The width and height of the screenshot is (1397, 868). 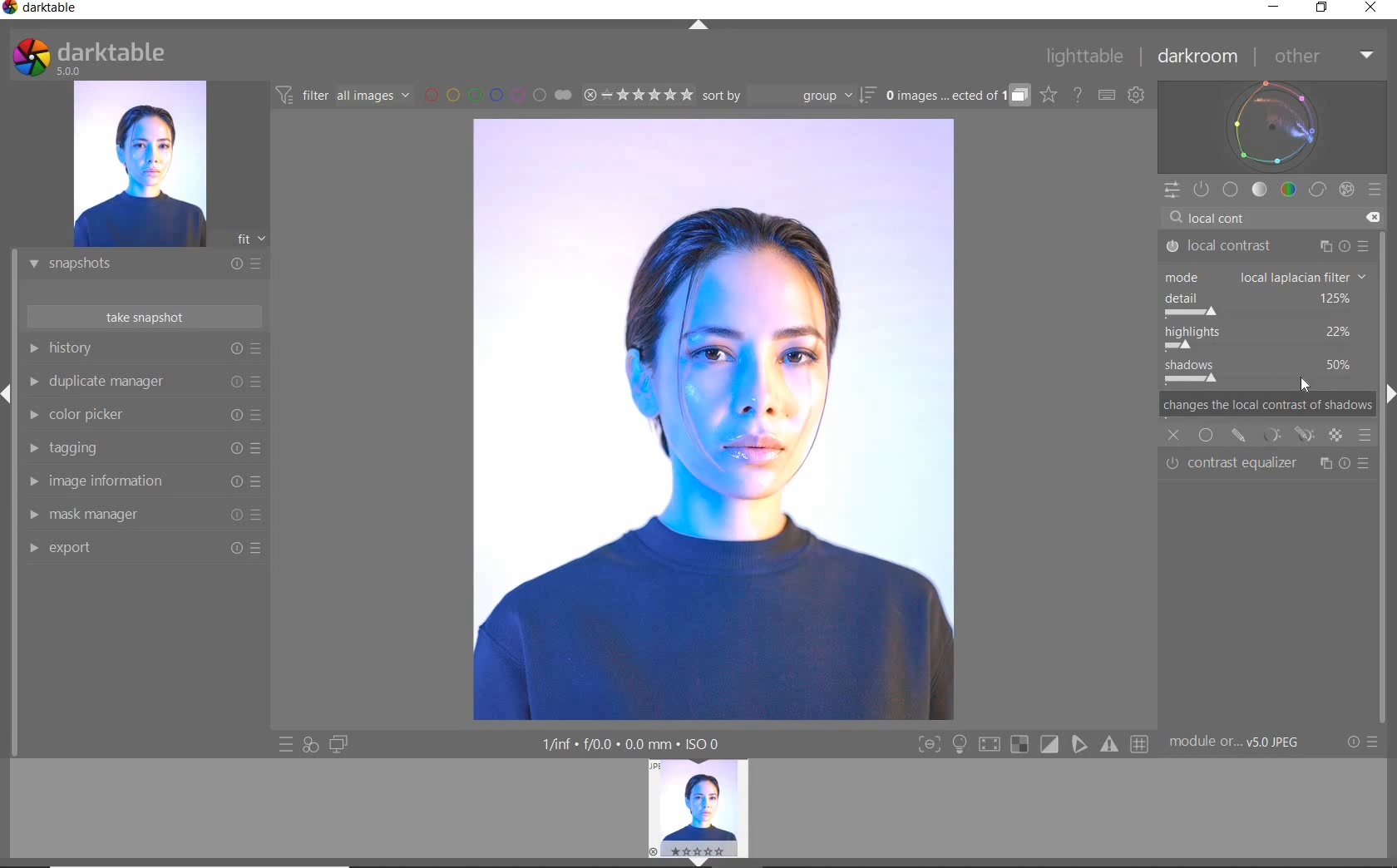 I want to click on SHOW ONLY ACTIVE MODULES, so click(x=1202, y=190).